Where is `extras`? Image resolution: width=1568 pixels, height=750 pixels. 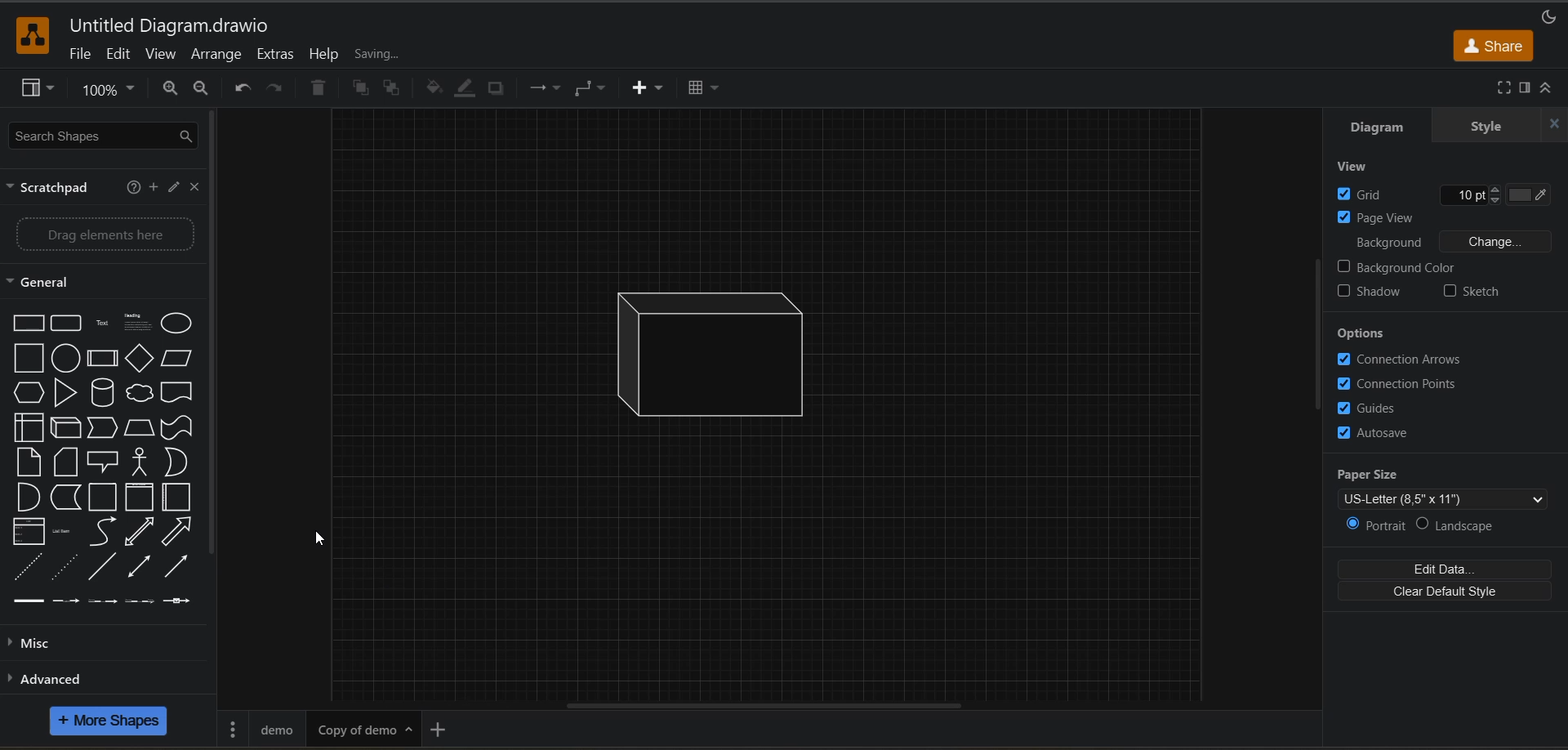
extras is located at coordinates (274, 54).